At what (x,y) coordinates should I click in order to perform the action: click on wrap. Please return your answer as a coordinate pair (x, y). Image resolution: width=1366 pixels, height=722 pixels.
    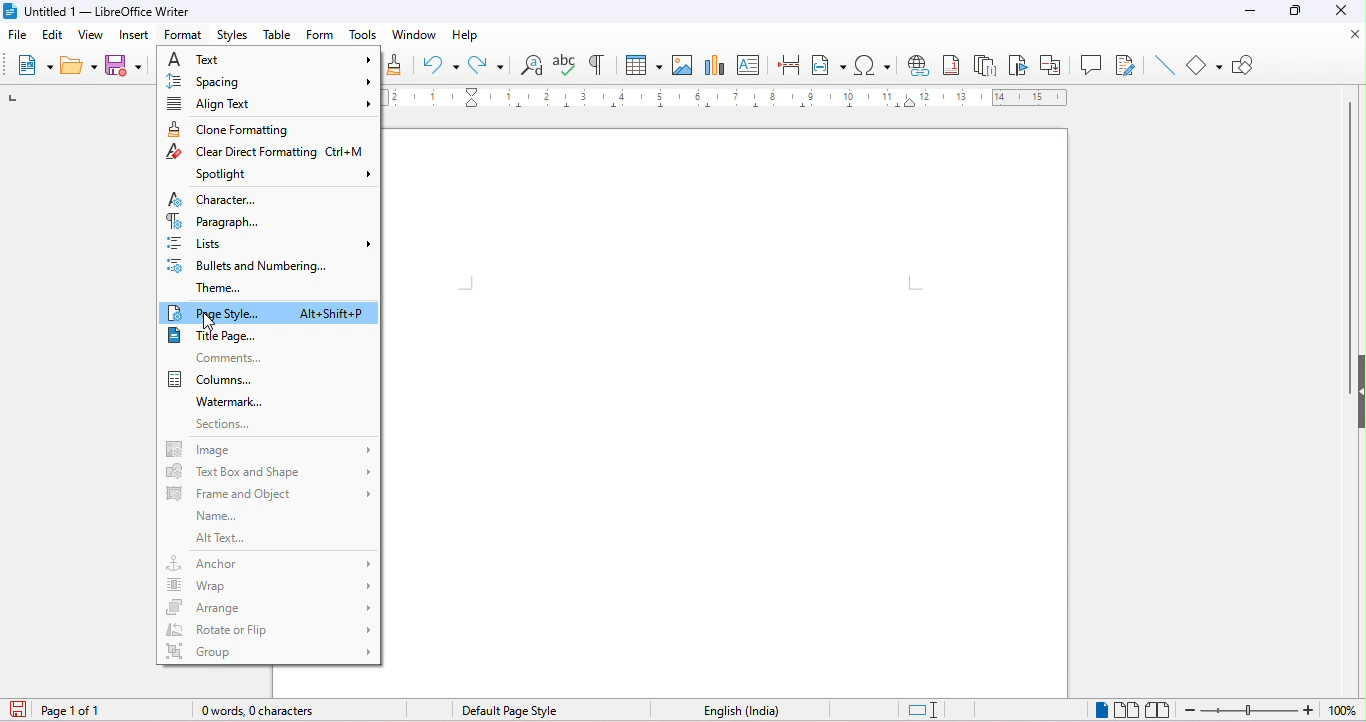
    Looking at the image, I should click on (273, 590).